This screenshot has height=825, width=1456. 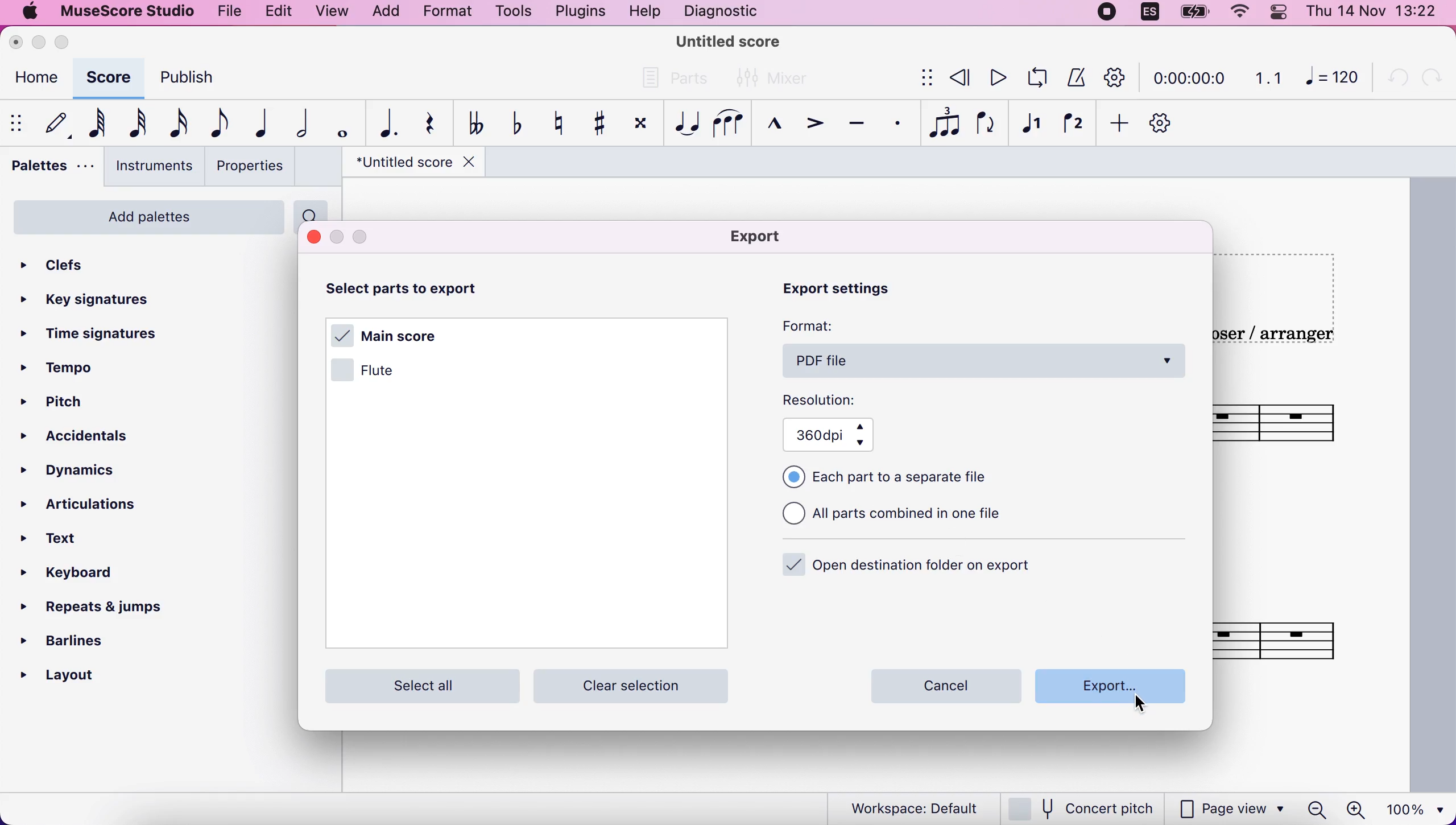 What do you see at coordinates (149, 167) in the screenshot?
I see `instruments` at bounding box center [149, 167].